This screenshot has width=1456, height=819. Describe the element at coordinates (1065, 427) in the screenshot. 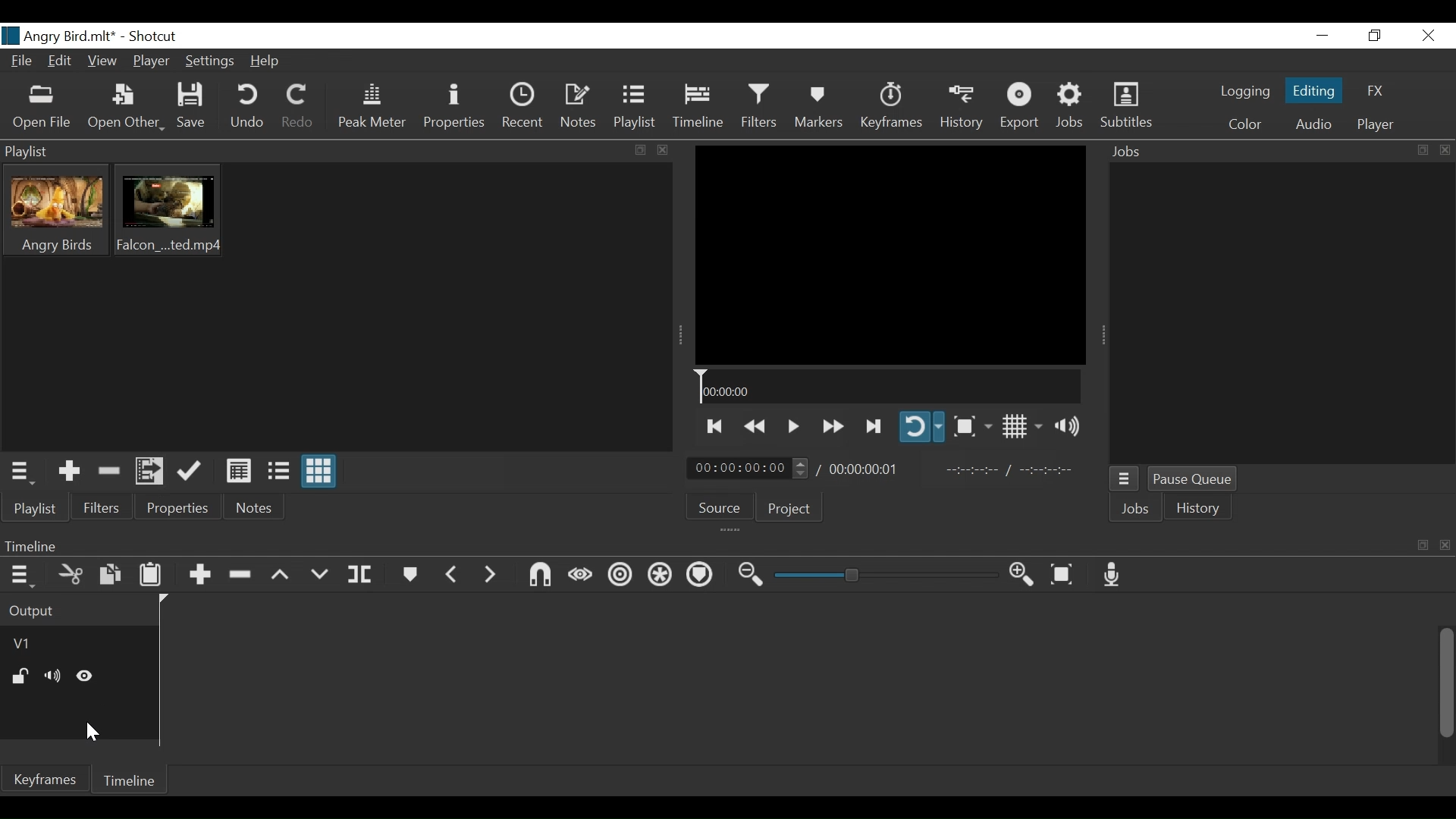

I see `Show volume control` at that location.